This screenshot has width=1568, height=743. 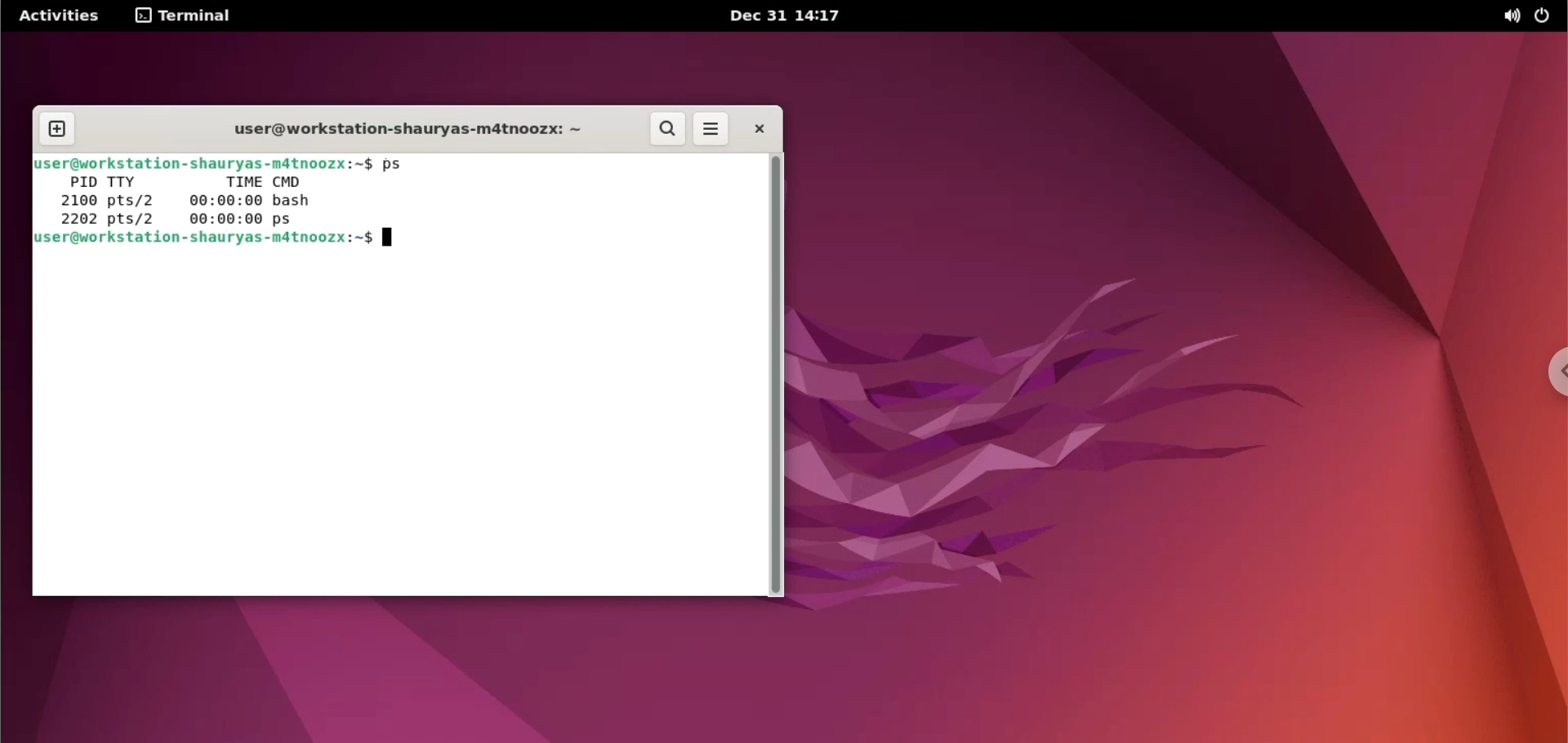 I want to click on pts/2, so click(x=134, y=217).